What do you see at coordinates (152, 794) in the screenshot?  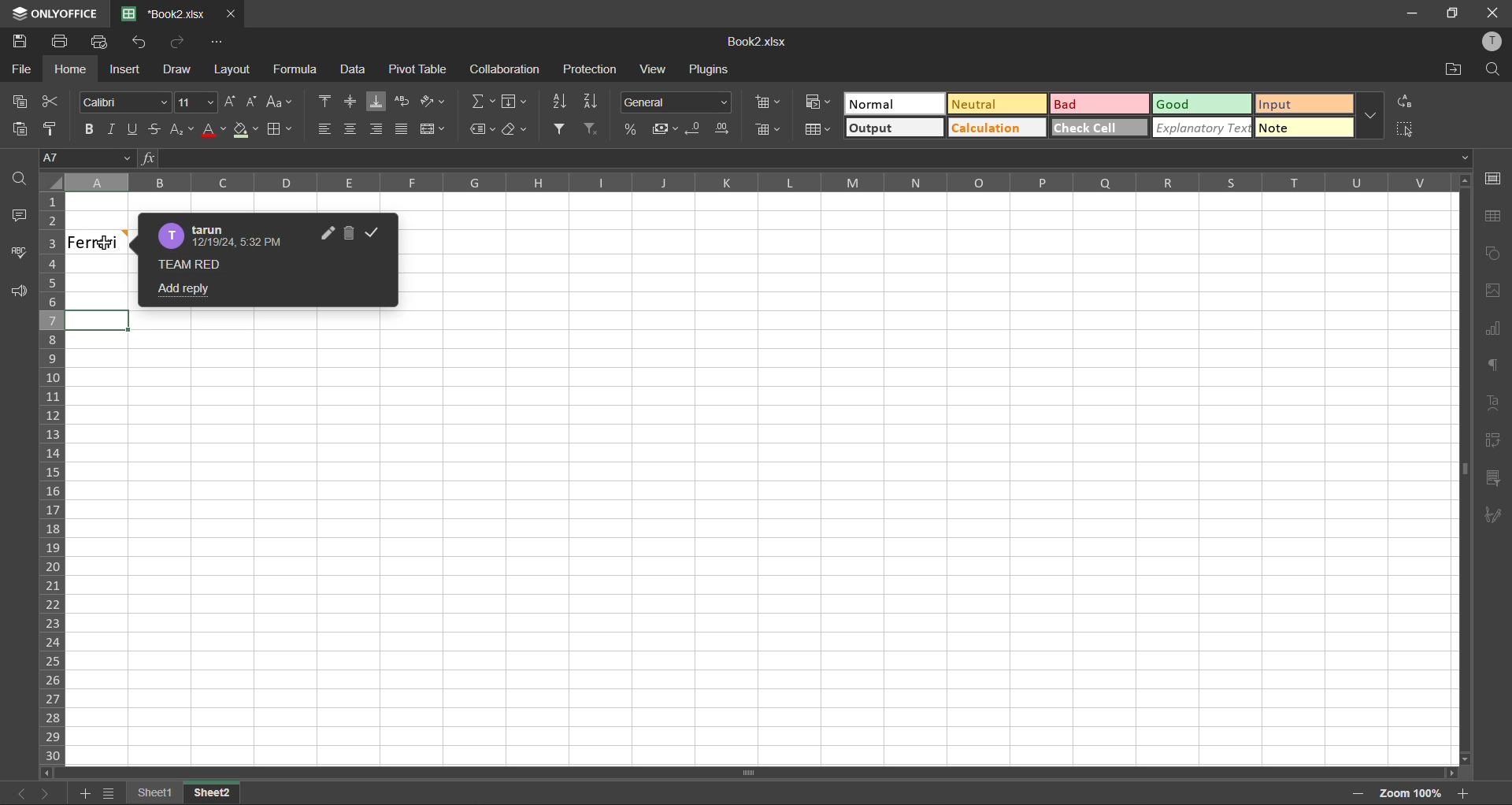 I see `sheet1` at bounding box center [152, 794].